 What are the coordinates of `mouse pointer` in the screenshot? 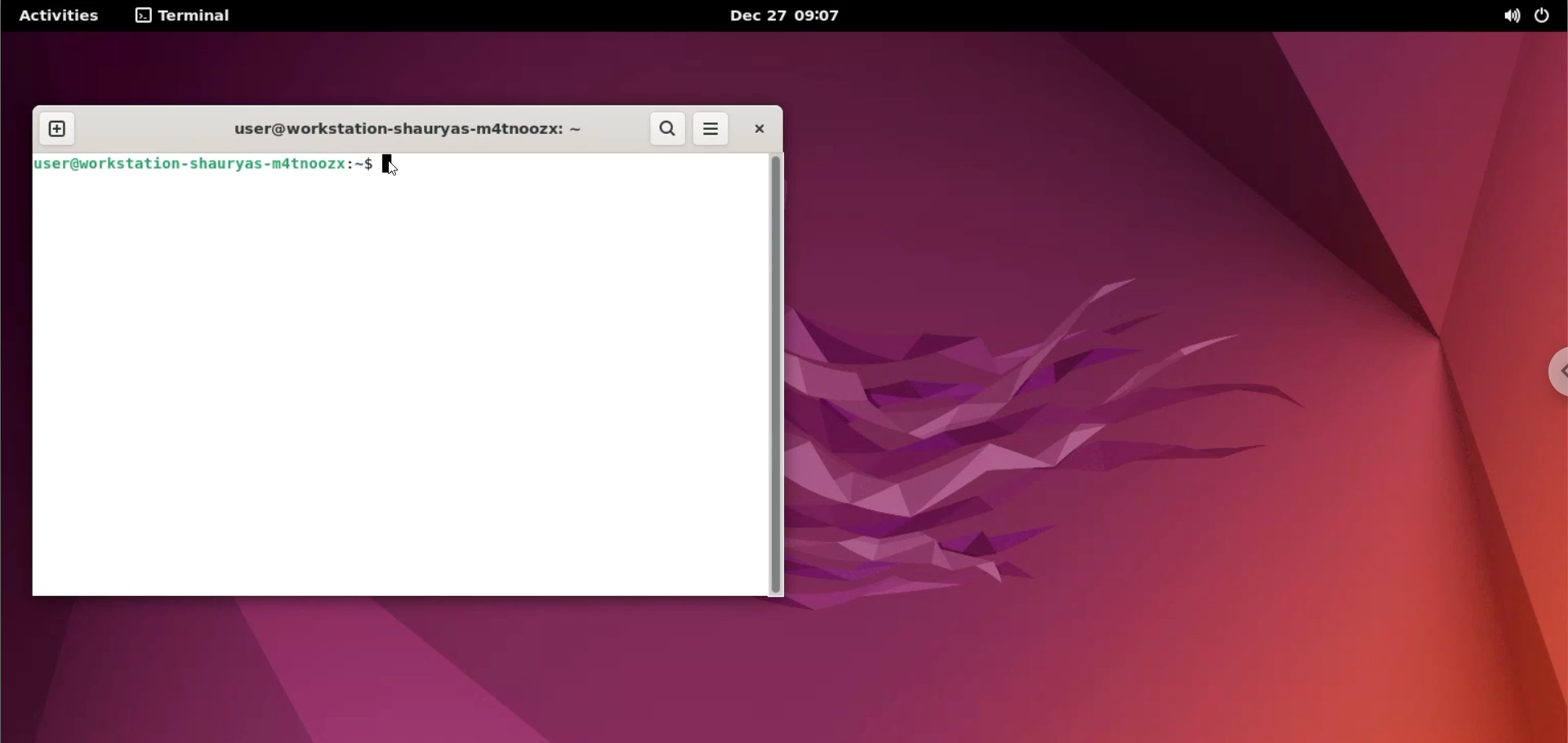 It's located at (391, 168).